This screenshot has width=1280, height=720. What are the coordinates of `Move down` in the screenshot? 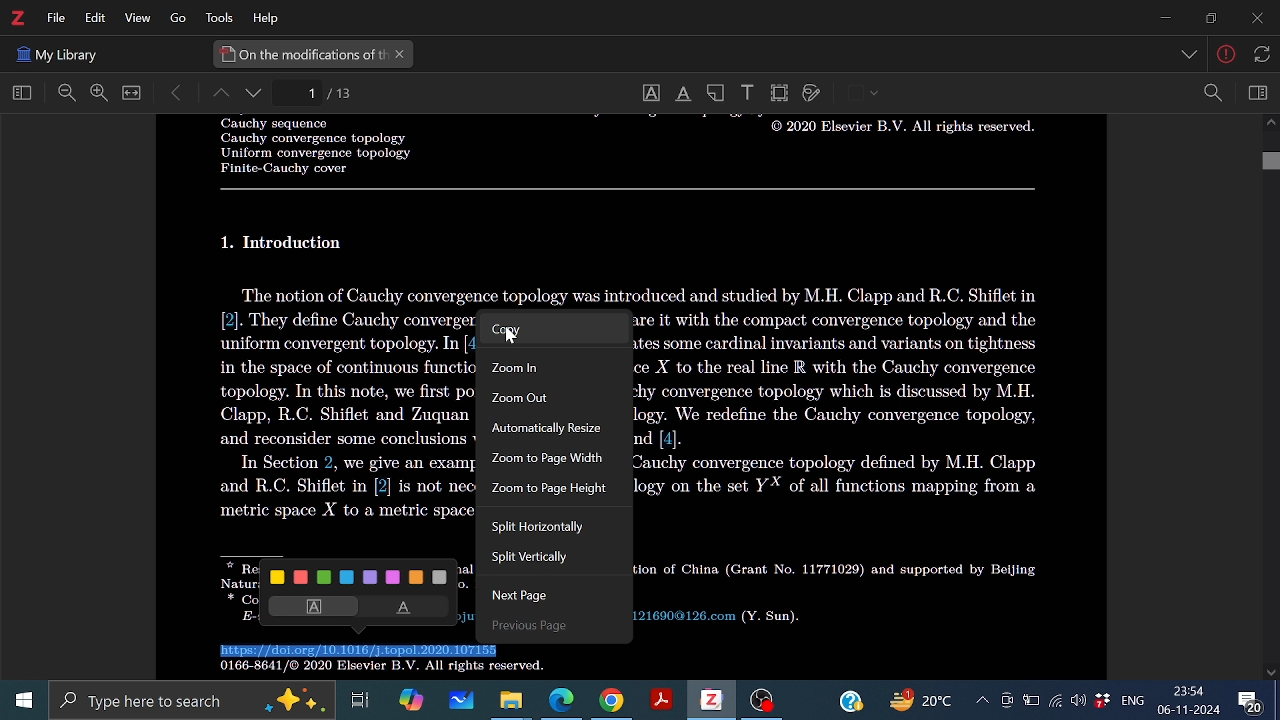 It's located at (1272, 672).